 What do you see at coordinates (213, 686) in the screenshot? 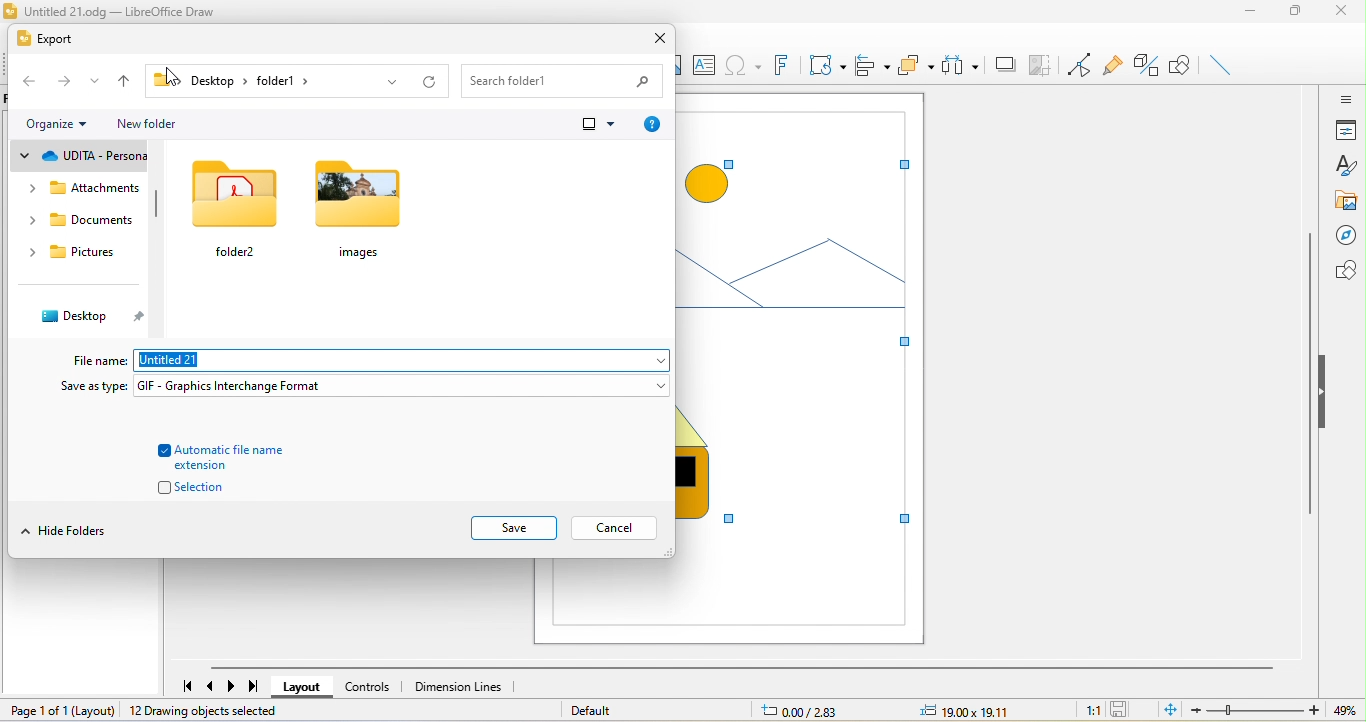
I see `previous` at bounding box center [213, 686].